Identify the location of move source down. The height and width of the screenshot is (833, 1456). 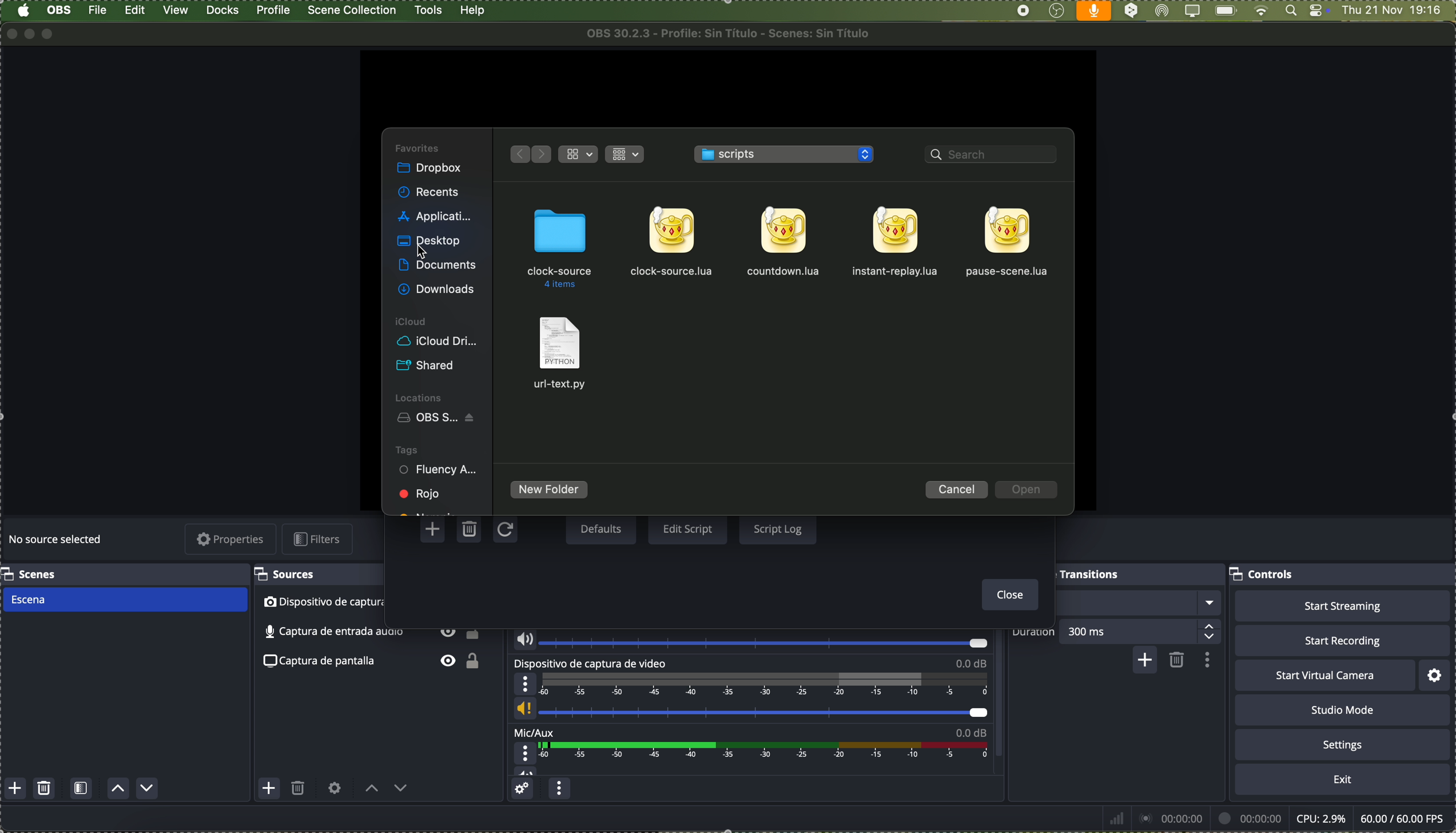
(399, 791).